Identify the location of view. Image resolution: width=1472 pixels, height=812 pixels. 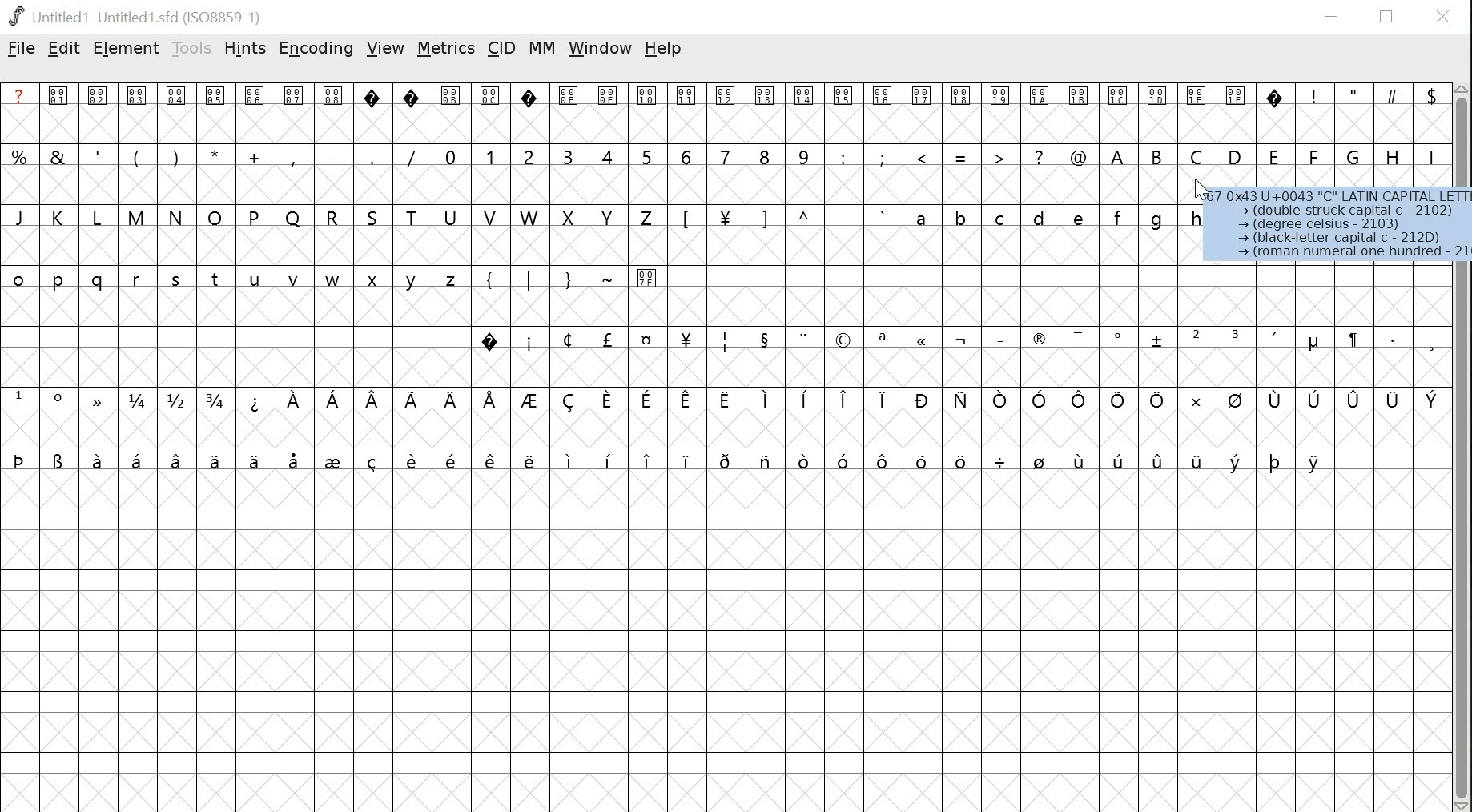
(384, 47).